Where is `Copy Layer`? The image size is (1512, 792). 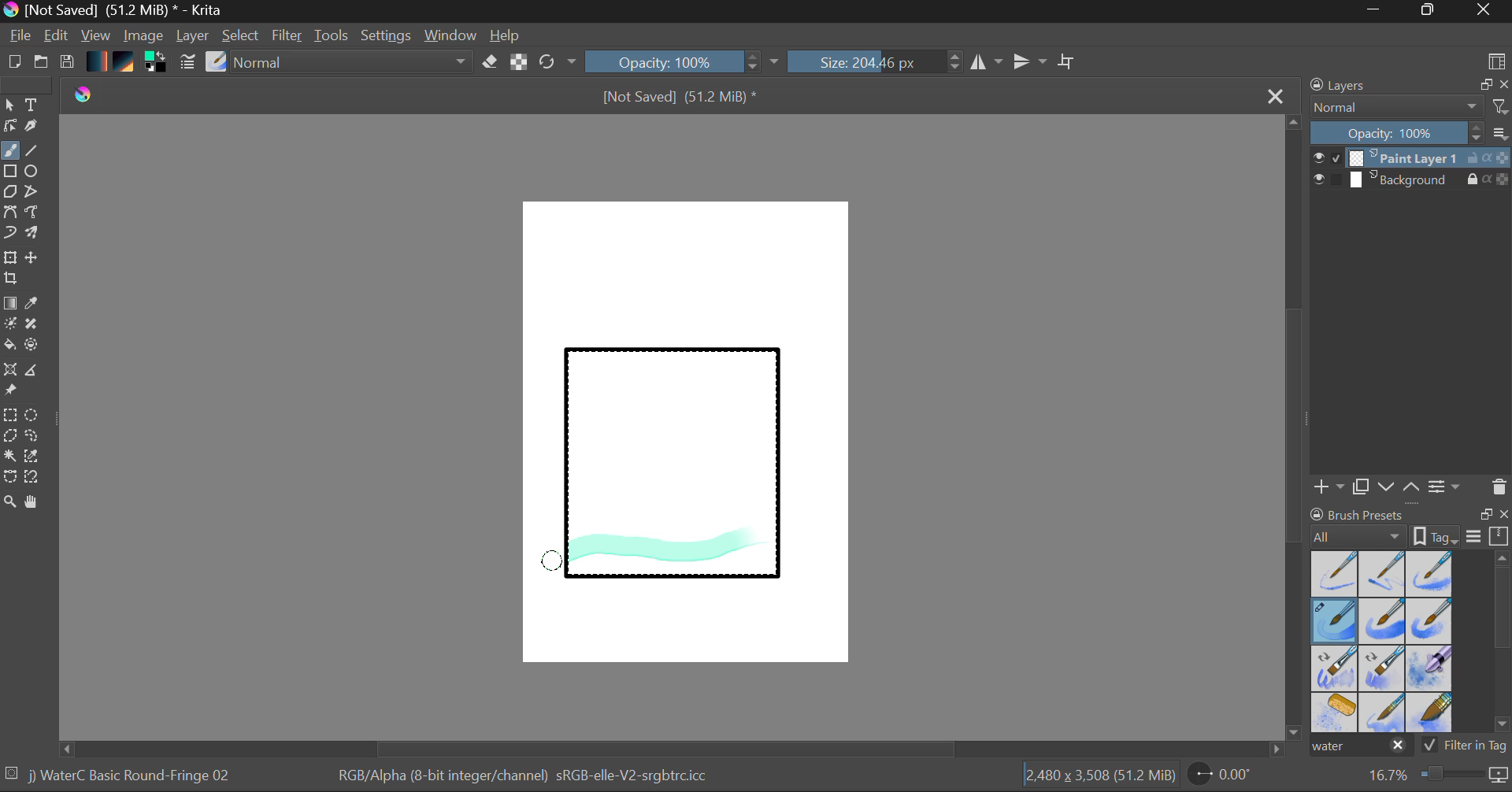
Copy Layer is located at coordinates (1362, 487).